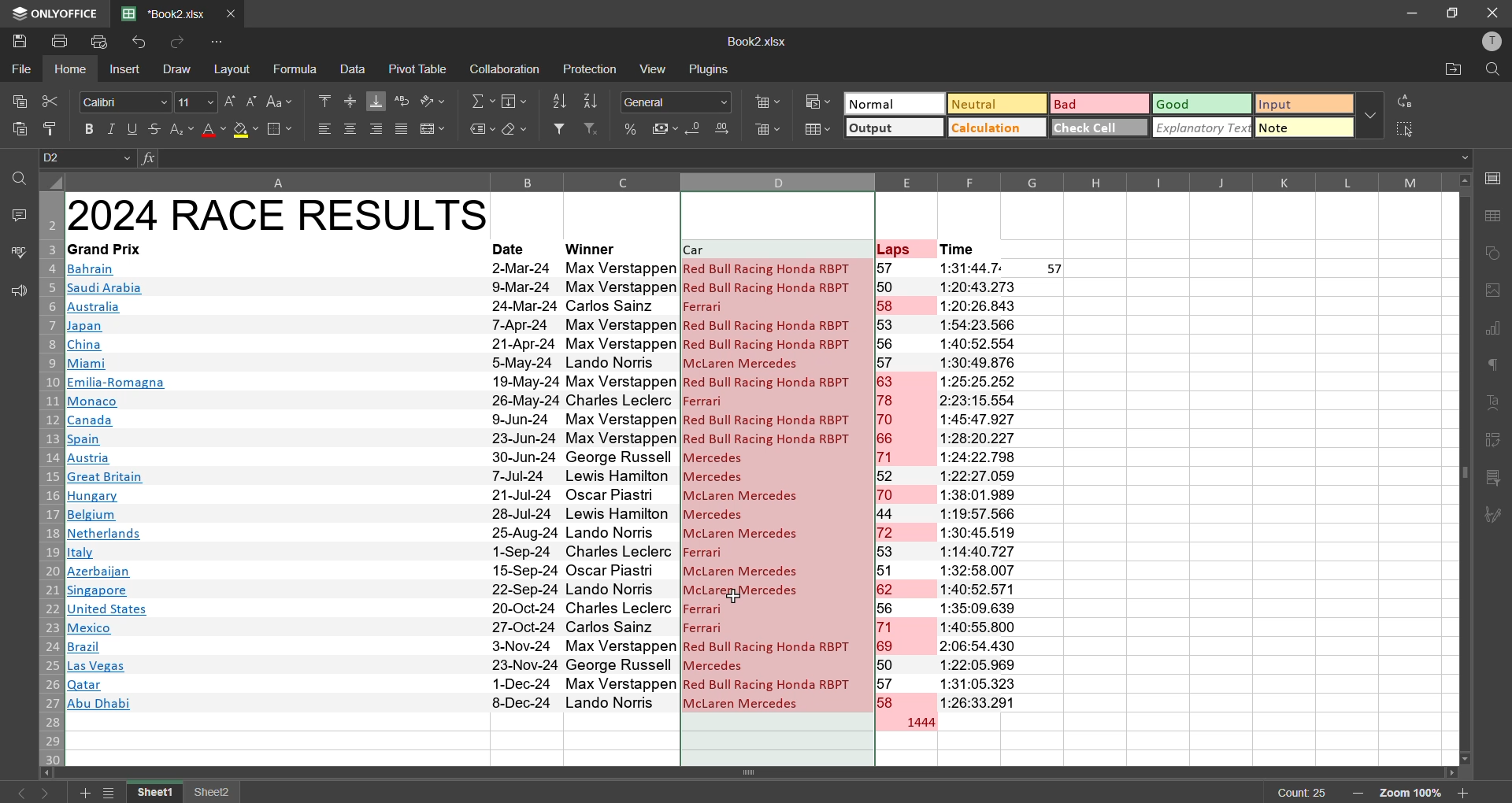 This screenshot has height=803, width=1512. I want to click on feedback, so click(16, 291).